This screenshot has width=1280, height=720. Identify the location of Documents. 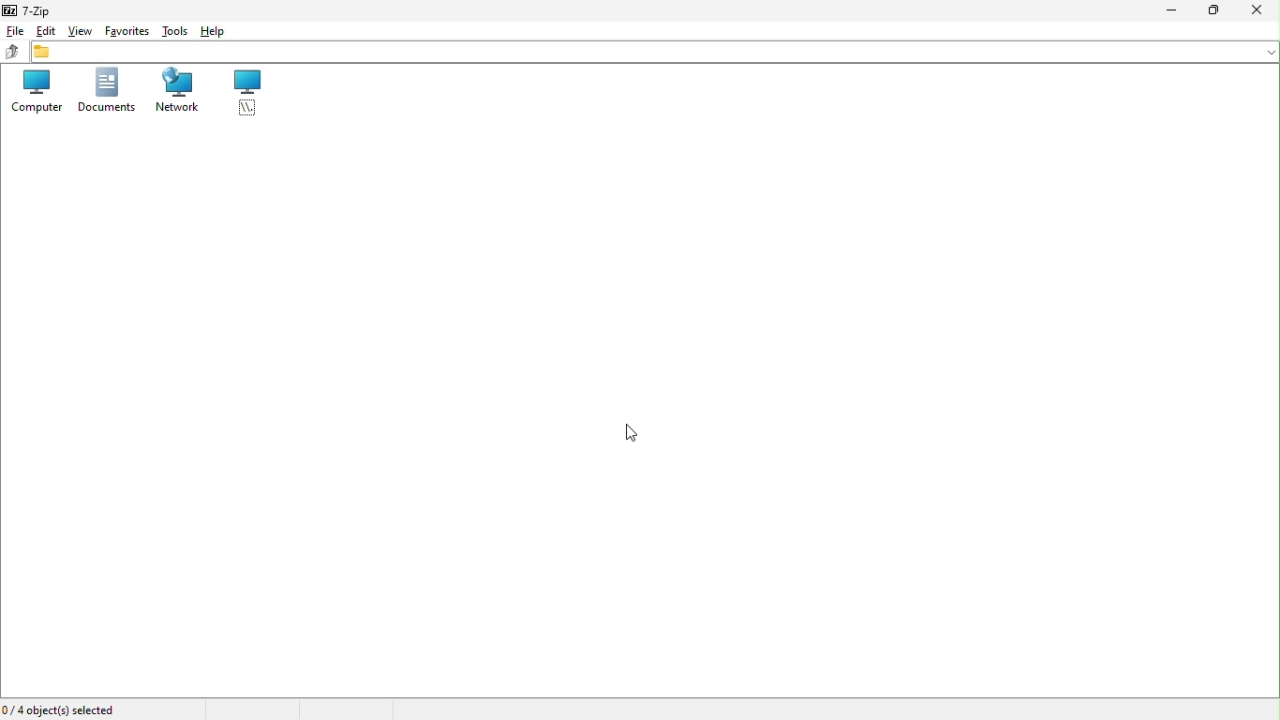
(106, 92).